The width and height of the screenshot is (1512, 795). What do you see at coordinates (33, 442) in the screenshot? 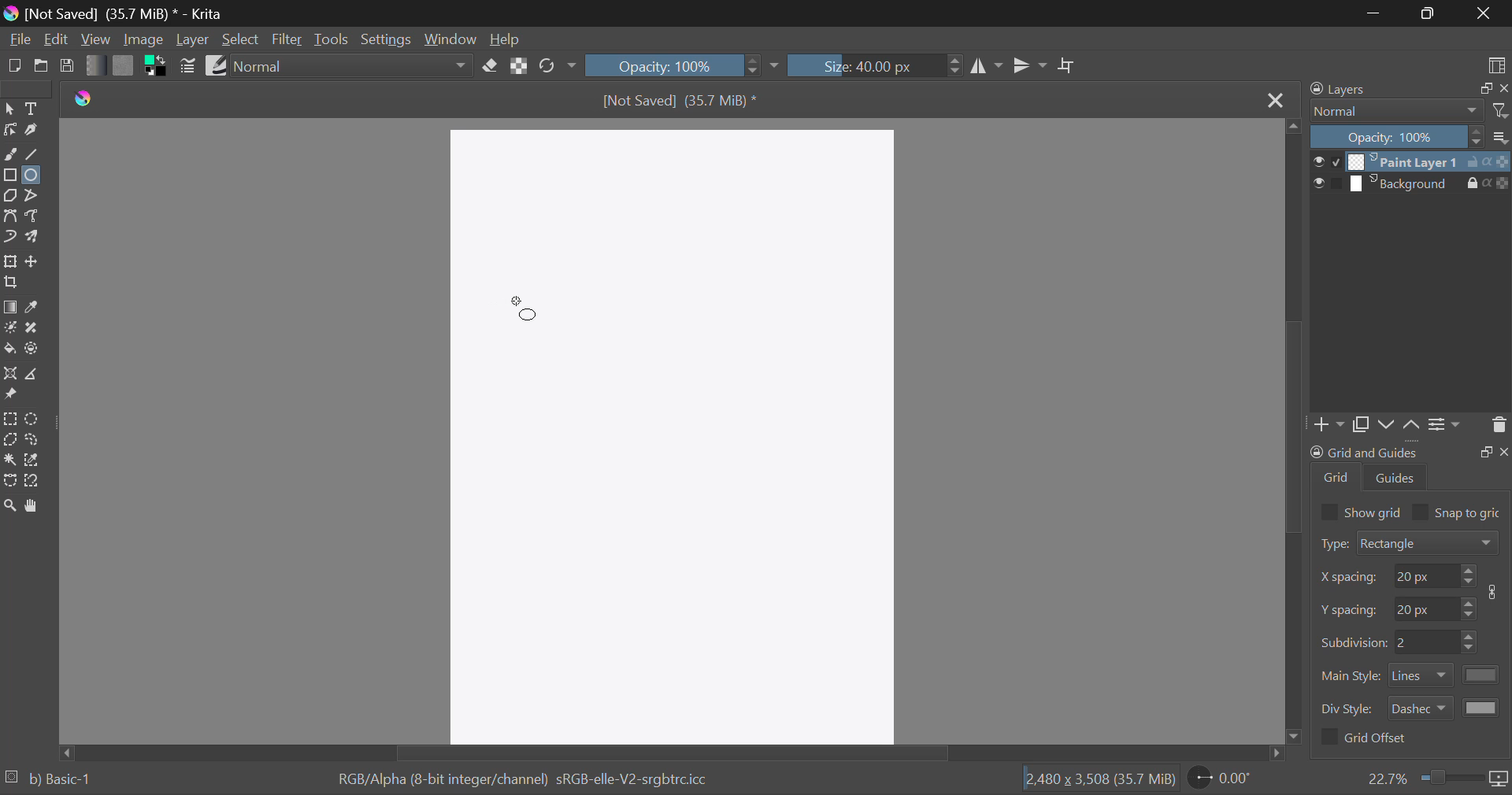
I see `Freehand Selection` at bounding box center [33, 442].